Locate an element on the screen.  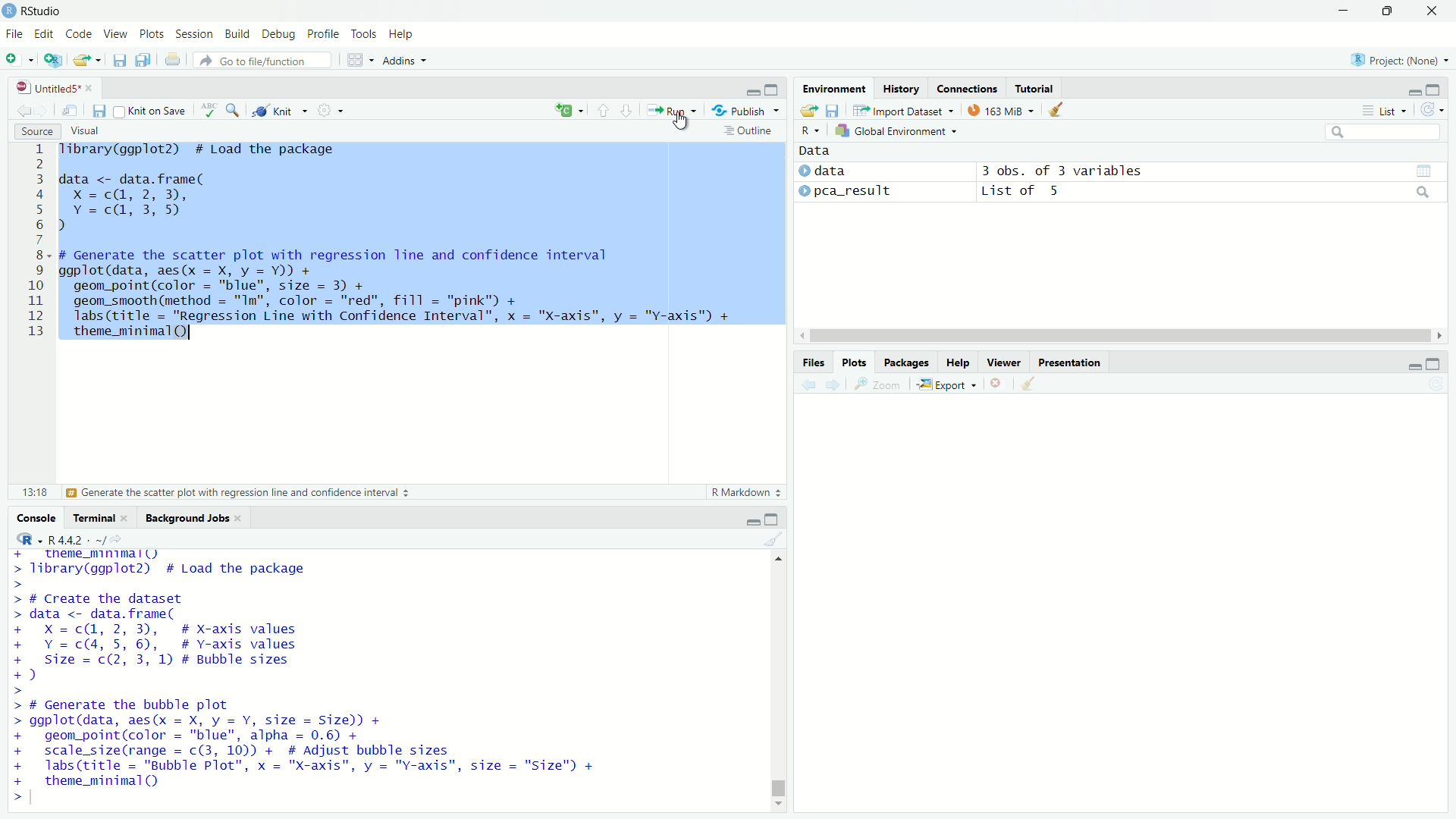
Print the current file is located at coordinates (172, 58).